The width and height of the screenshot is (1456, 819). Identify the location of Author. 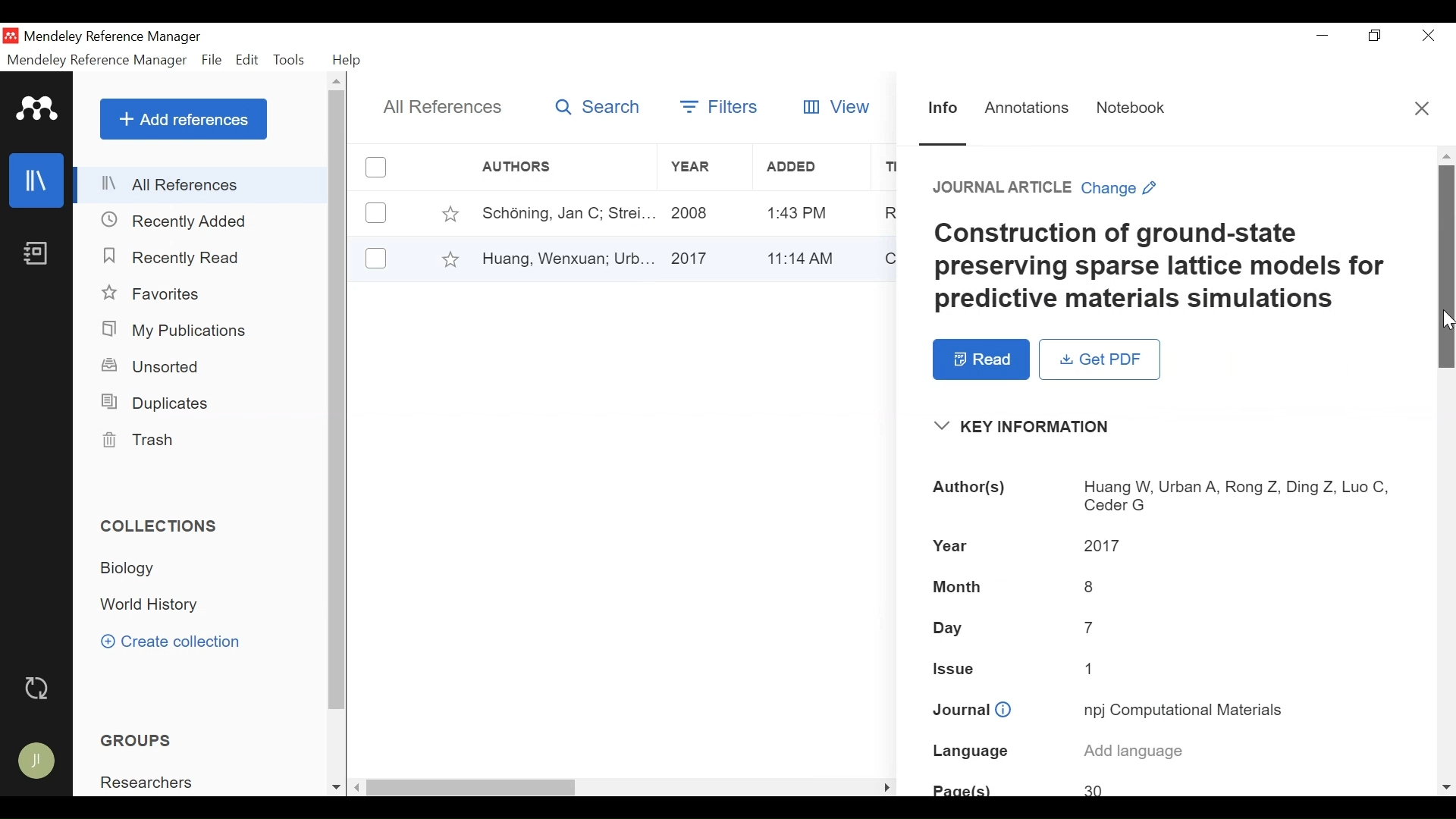
(562, 212).